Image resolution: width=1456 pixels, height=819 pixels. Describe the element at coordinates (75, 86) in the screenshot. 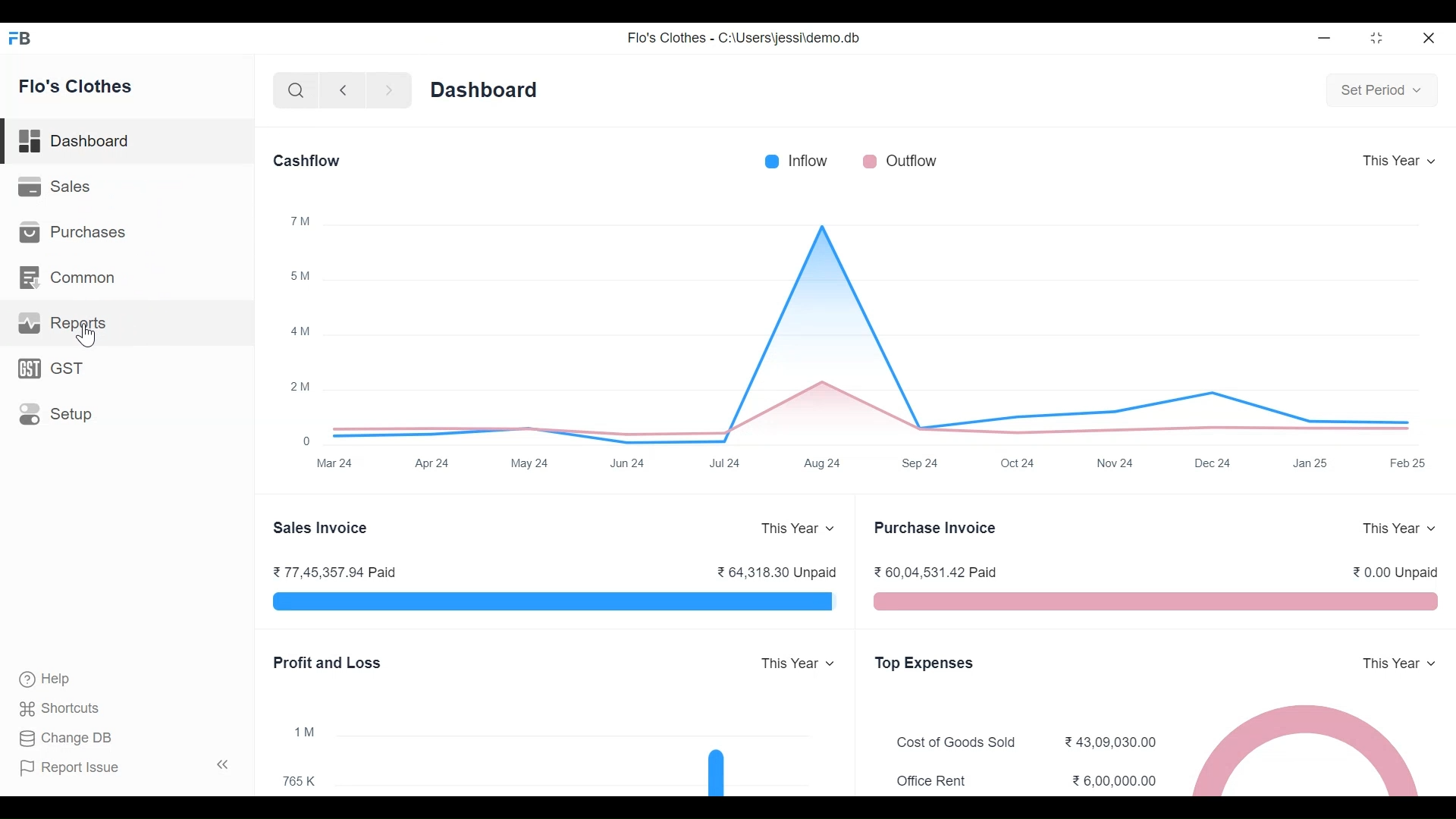

I see `Flo's Clothes` at that location.